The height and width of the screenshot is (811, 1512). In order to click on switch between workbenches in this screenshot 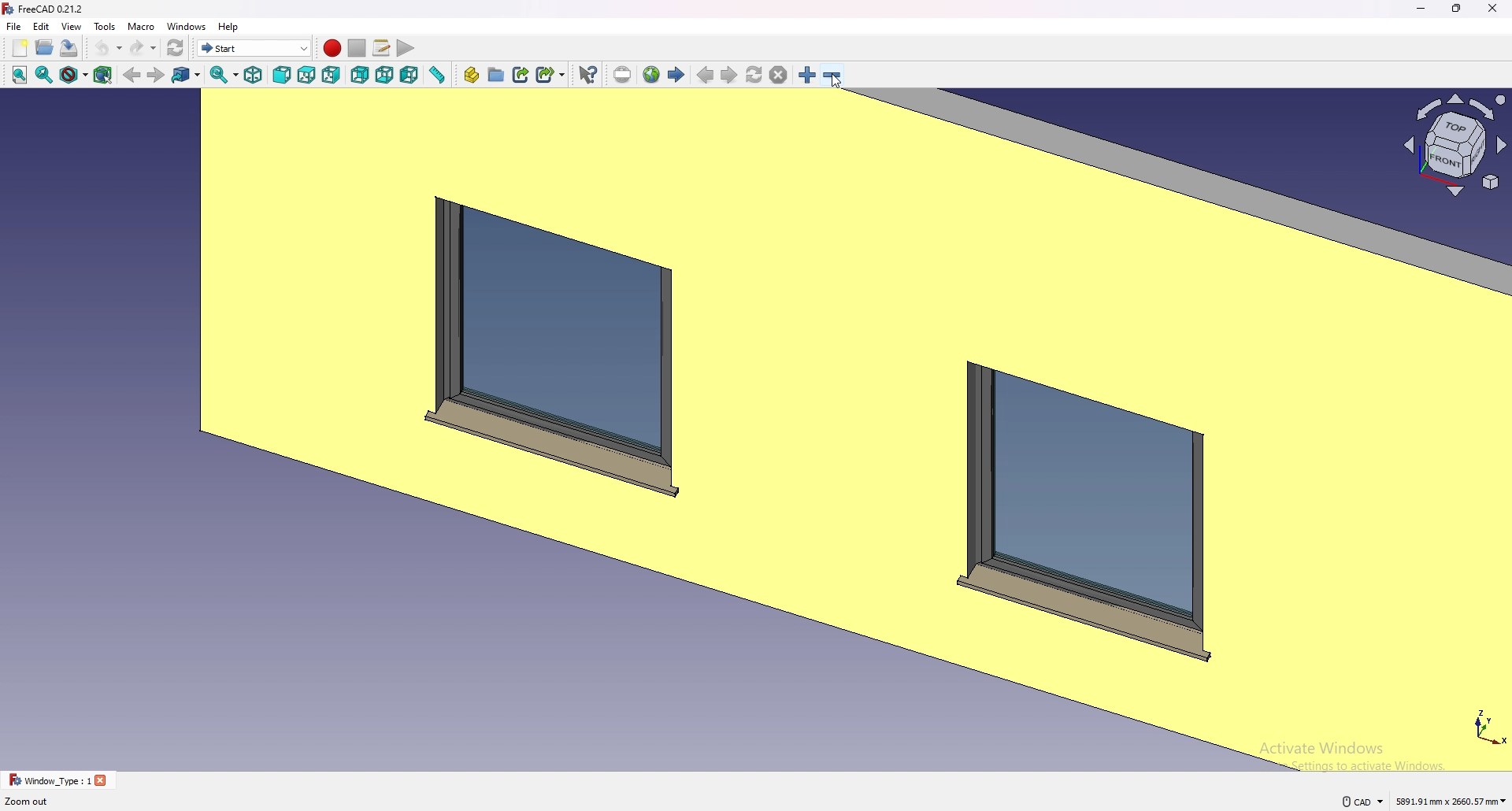, I will do `click(254, 47)`.